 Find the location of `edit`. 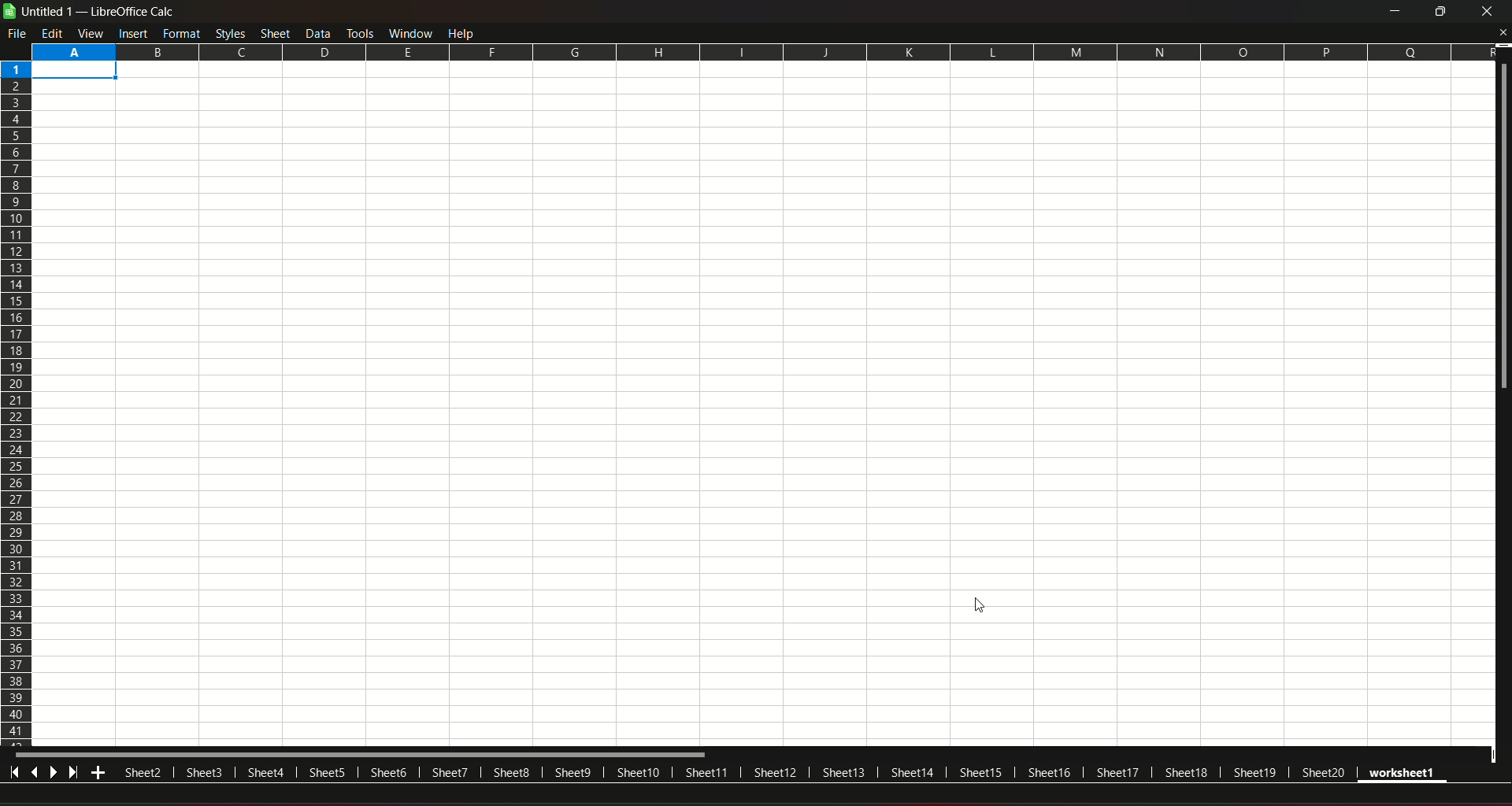

edit is located at coordinates (53, 33).